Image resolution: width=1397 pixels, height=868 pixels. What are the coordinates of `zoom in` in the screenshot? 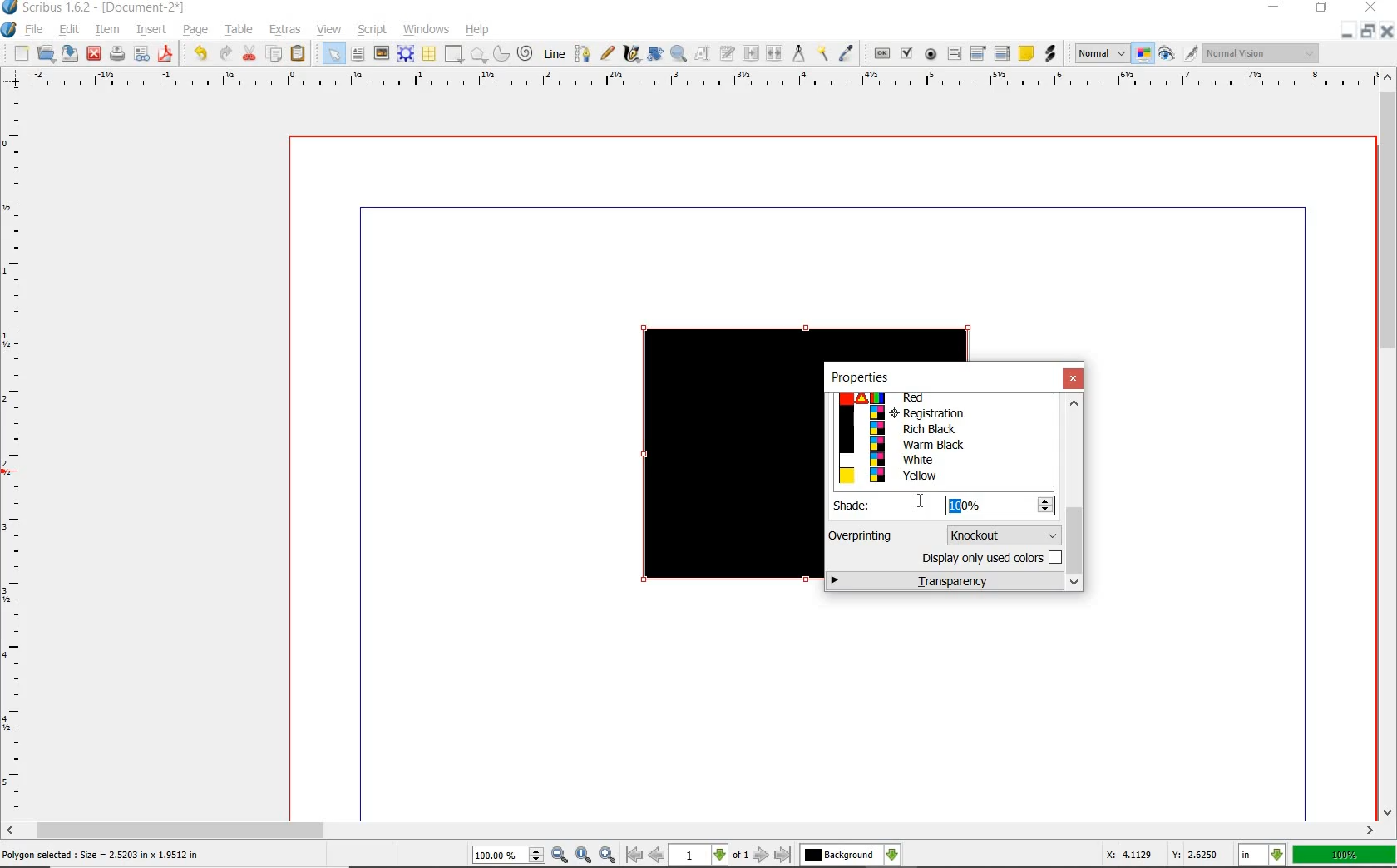 It's located at (607, 853).